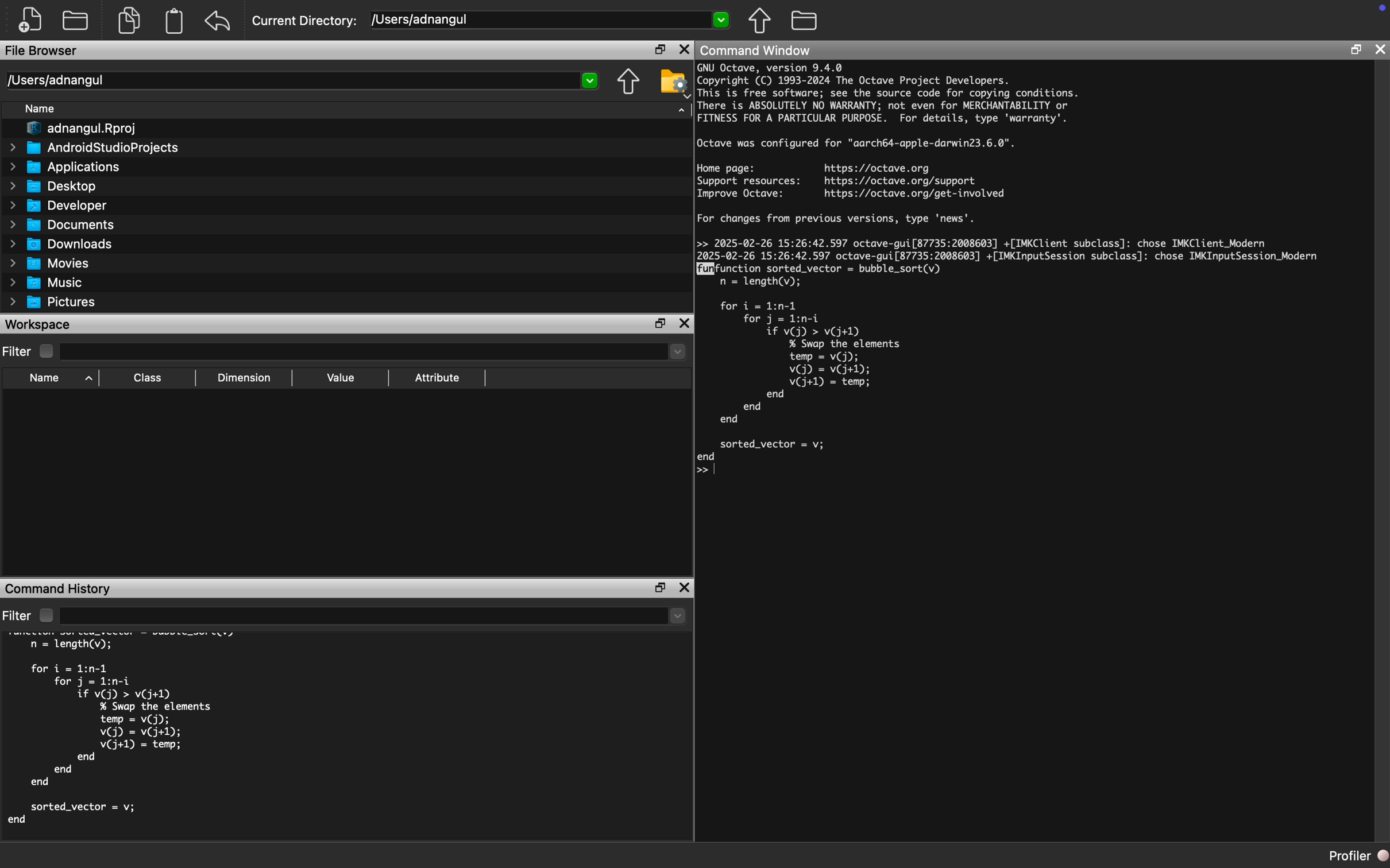 The width and height of the screenshot is (1390, 868). I want to click on Octave was configured for "aarch64-apple-darwin23.6.0"., so click(857, 144).